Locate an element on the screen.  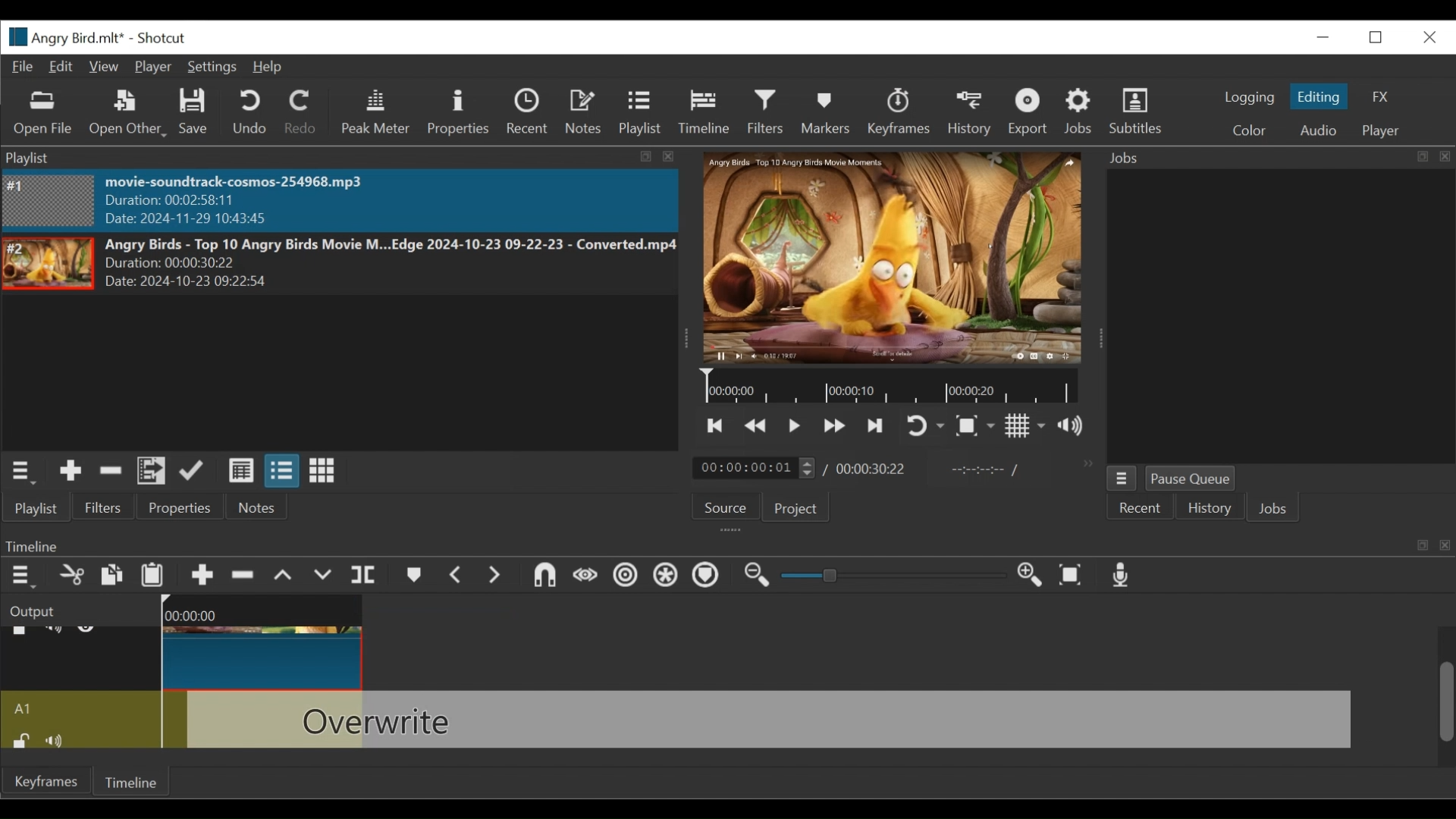
Ripple all tracks is located at coordinates (667, 578).